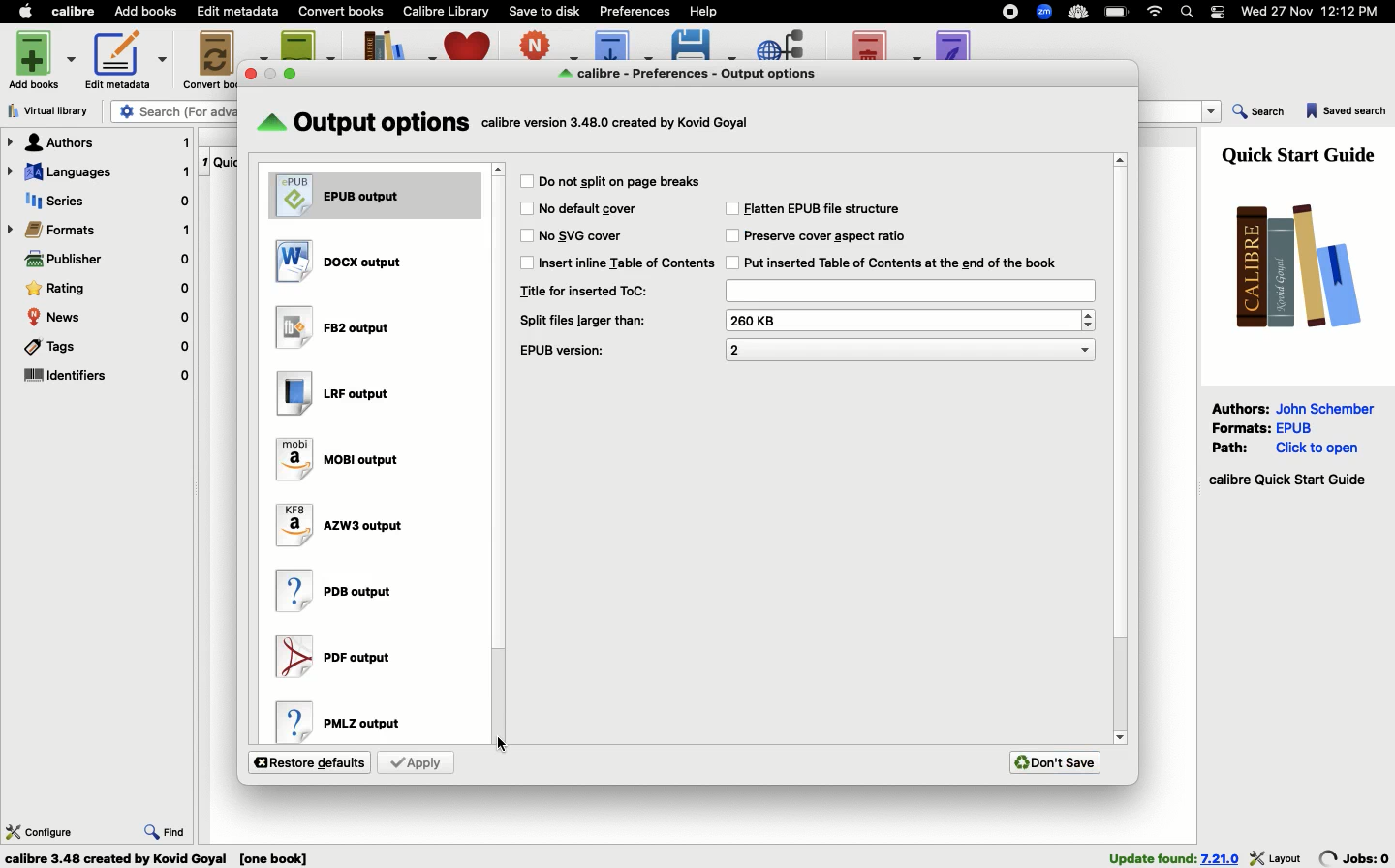 This screenshot has width=1395, height=868. I want to click on close, so click(252, 74).